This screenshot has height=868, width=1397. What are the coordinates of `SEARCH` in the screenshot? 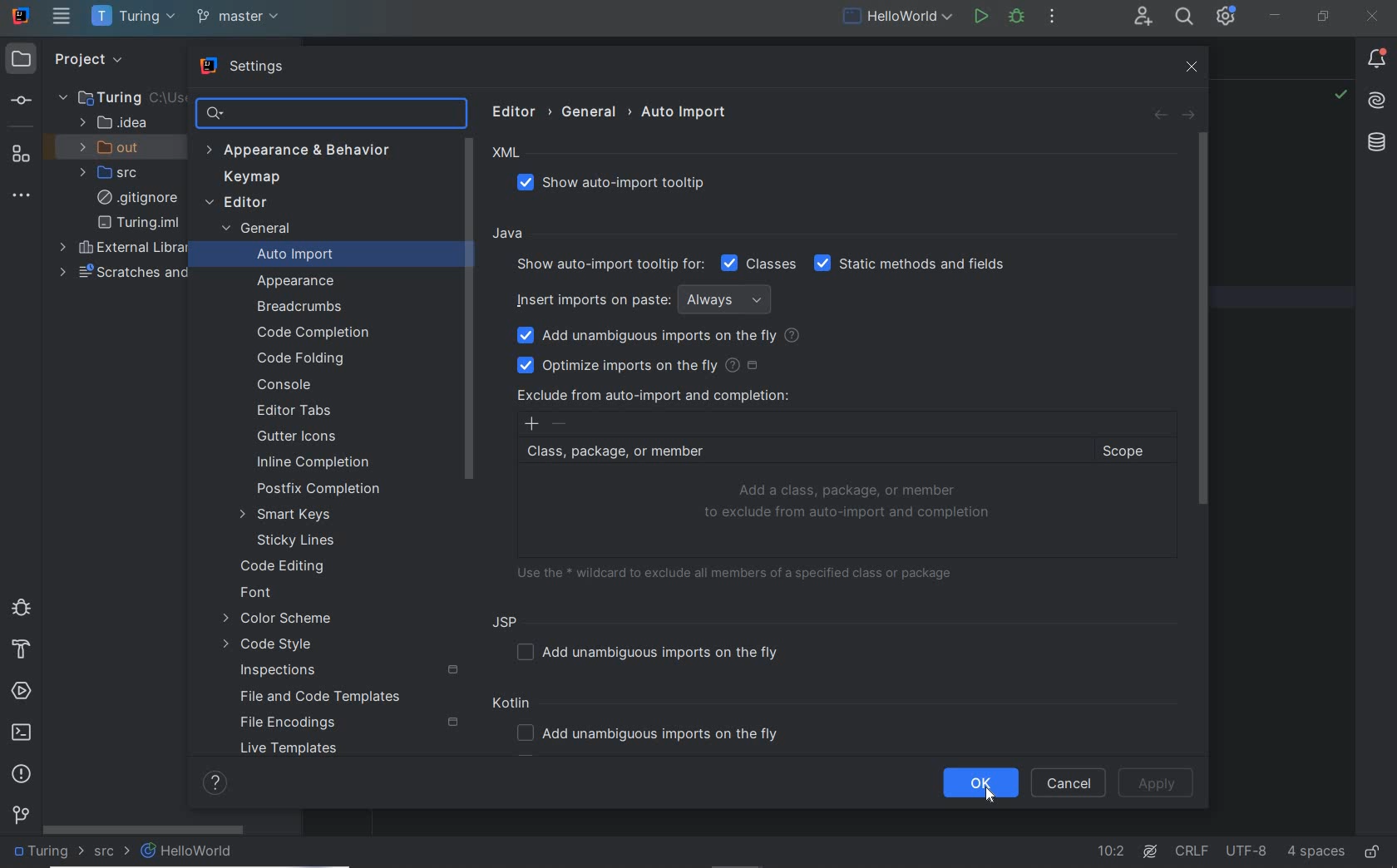 It's located at (1182, 16).